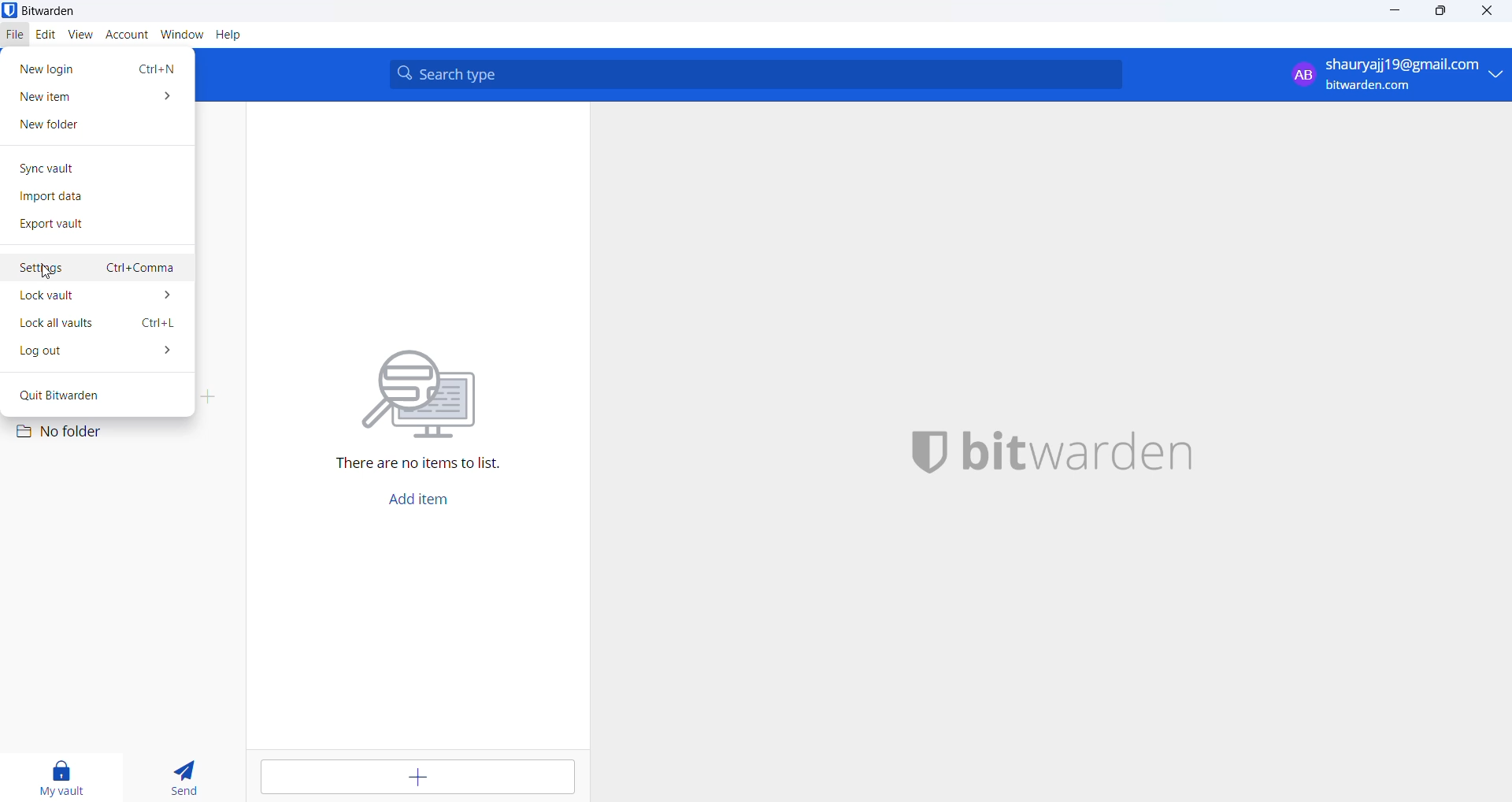 The image size is (1512, 802). Describe the element at coordinates (161, 322) in the screenshot. I see `Ctrl+L` at that location.